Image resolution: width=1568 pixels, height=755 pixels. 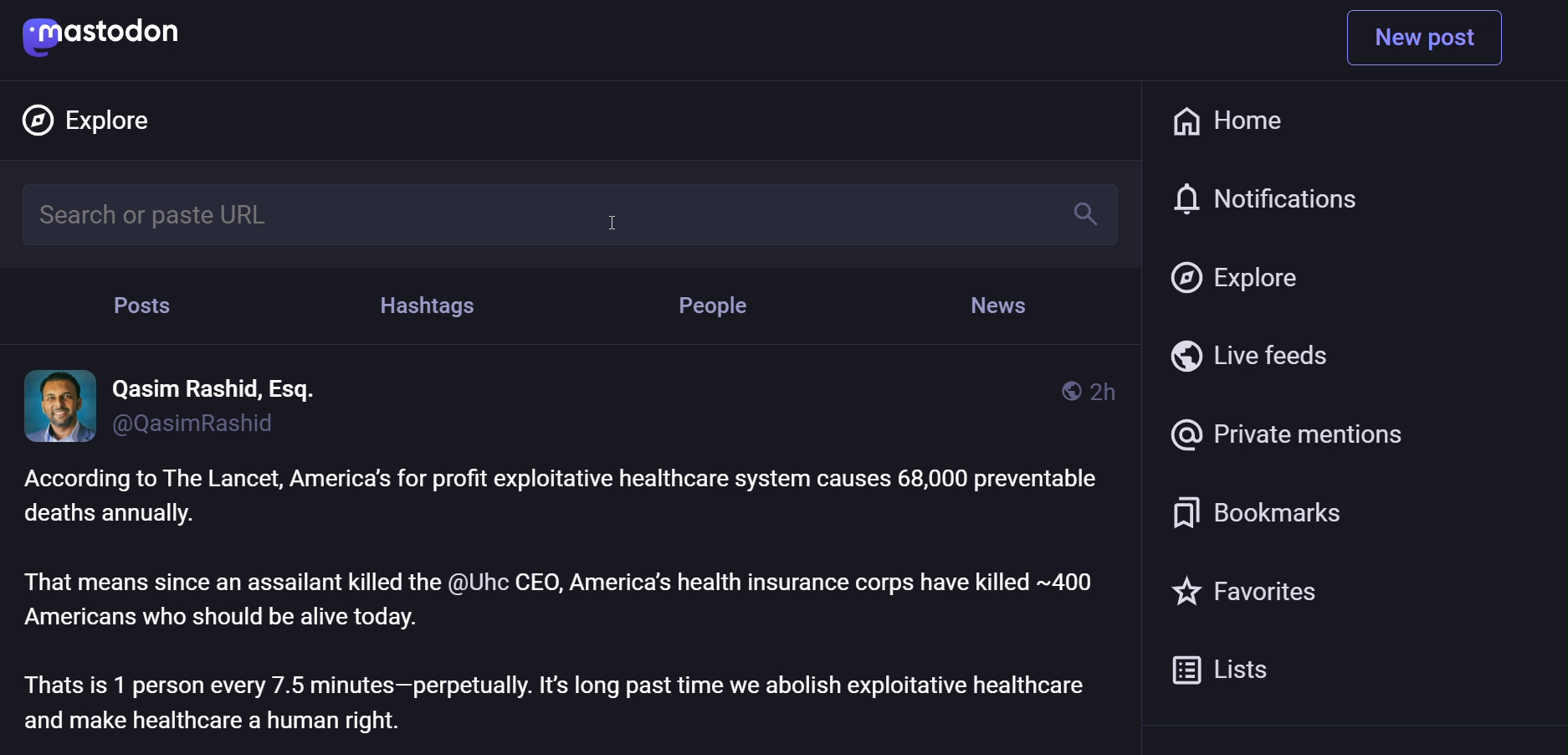 I want to click on hashtag, so click(x=429, y=306).